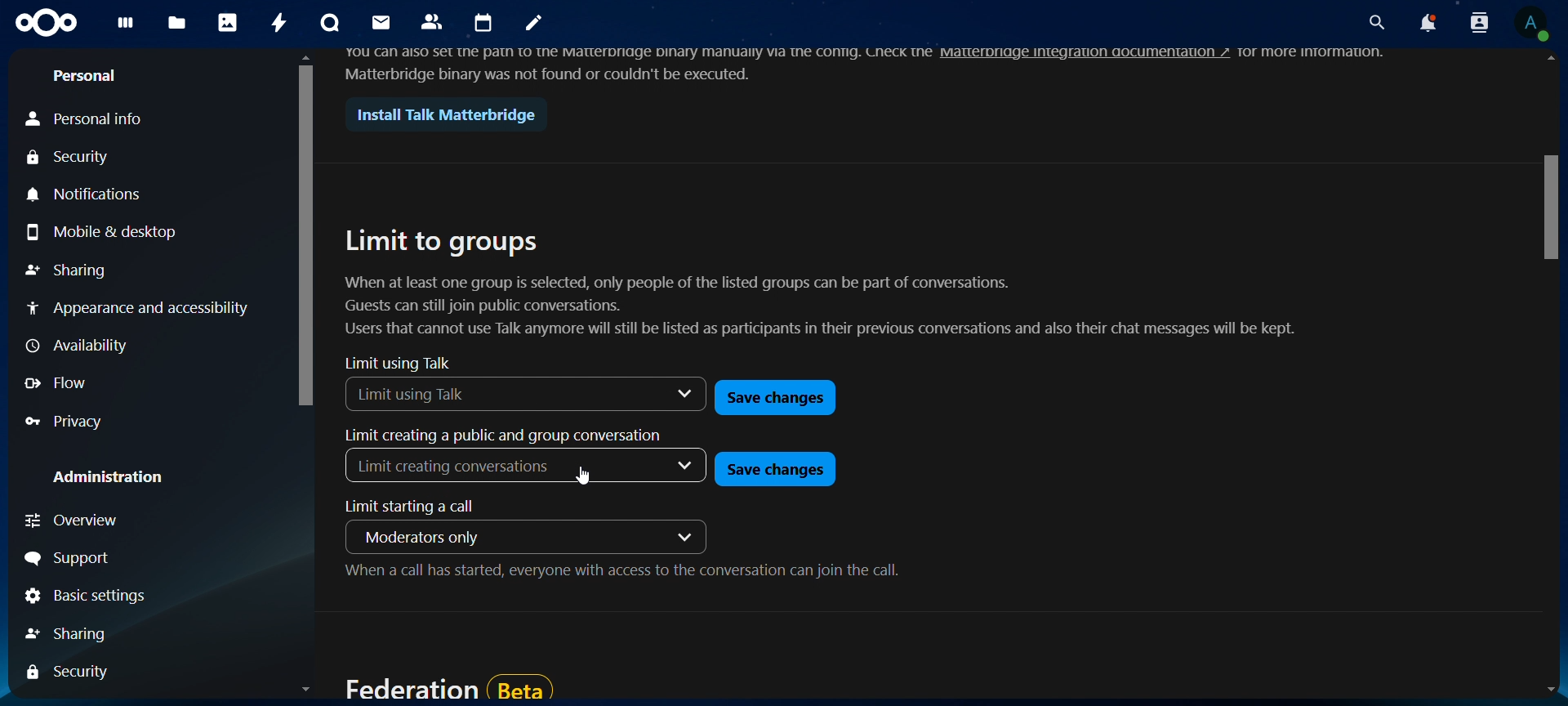 This screenshot has height=706, width=1568. What do you see at coordinates (64, 671) in the screenshot?
I see `sharing` at bounding box center [64, 671].